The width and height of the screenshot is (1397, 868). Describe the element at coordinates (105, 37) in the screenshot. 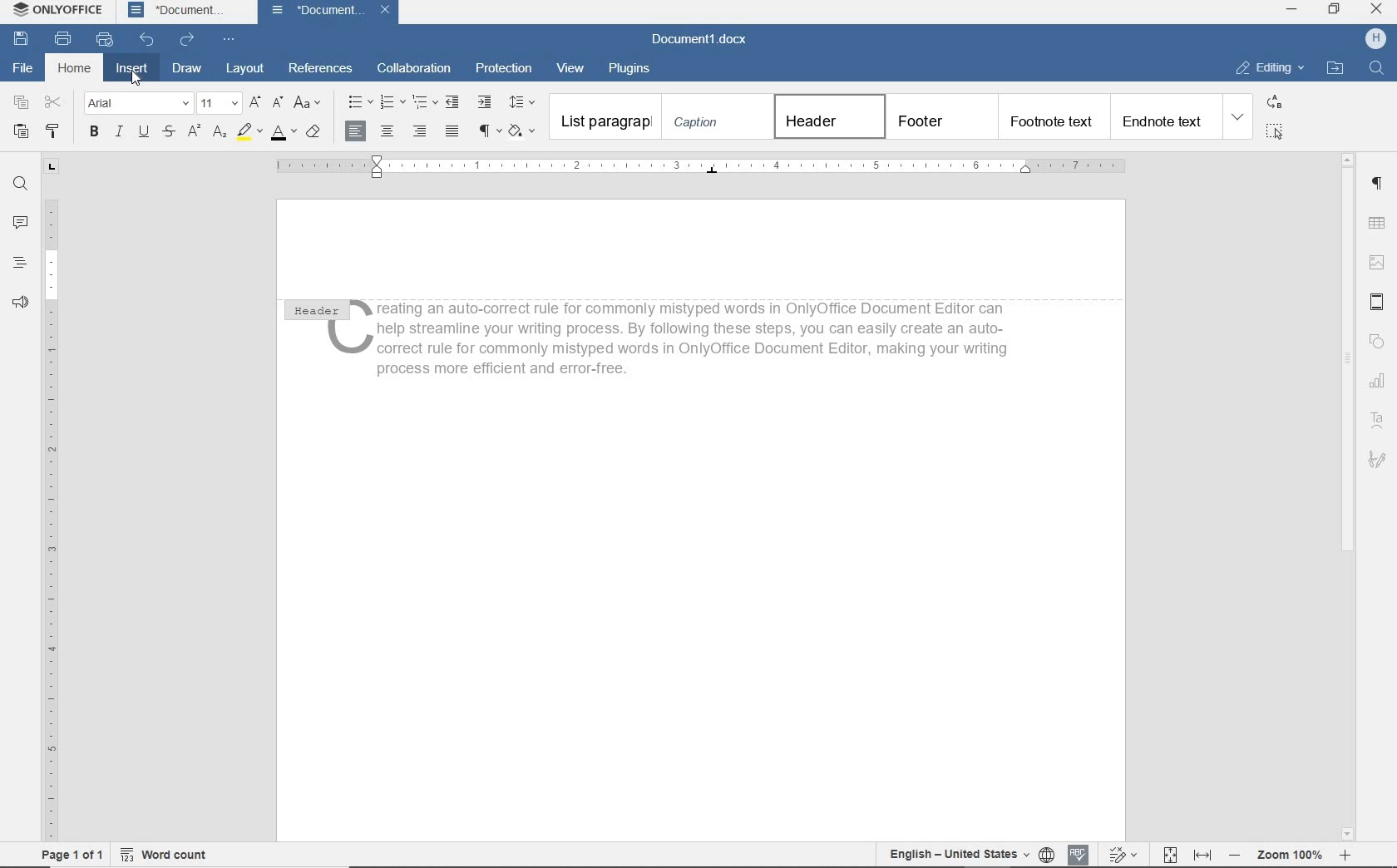

I see `QUICK PRINT` at that location.